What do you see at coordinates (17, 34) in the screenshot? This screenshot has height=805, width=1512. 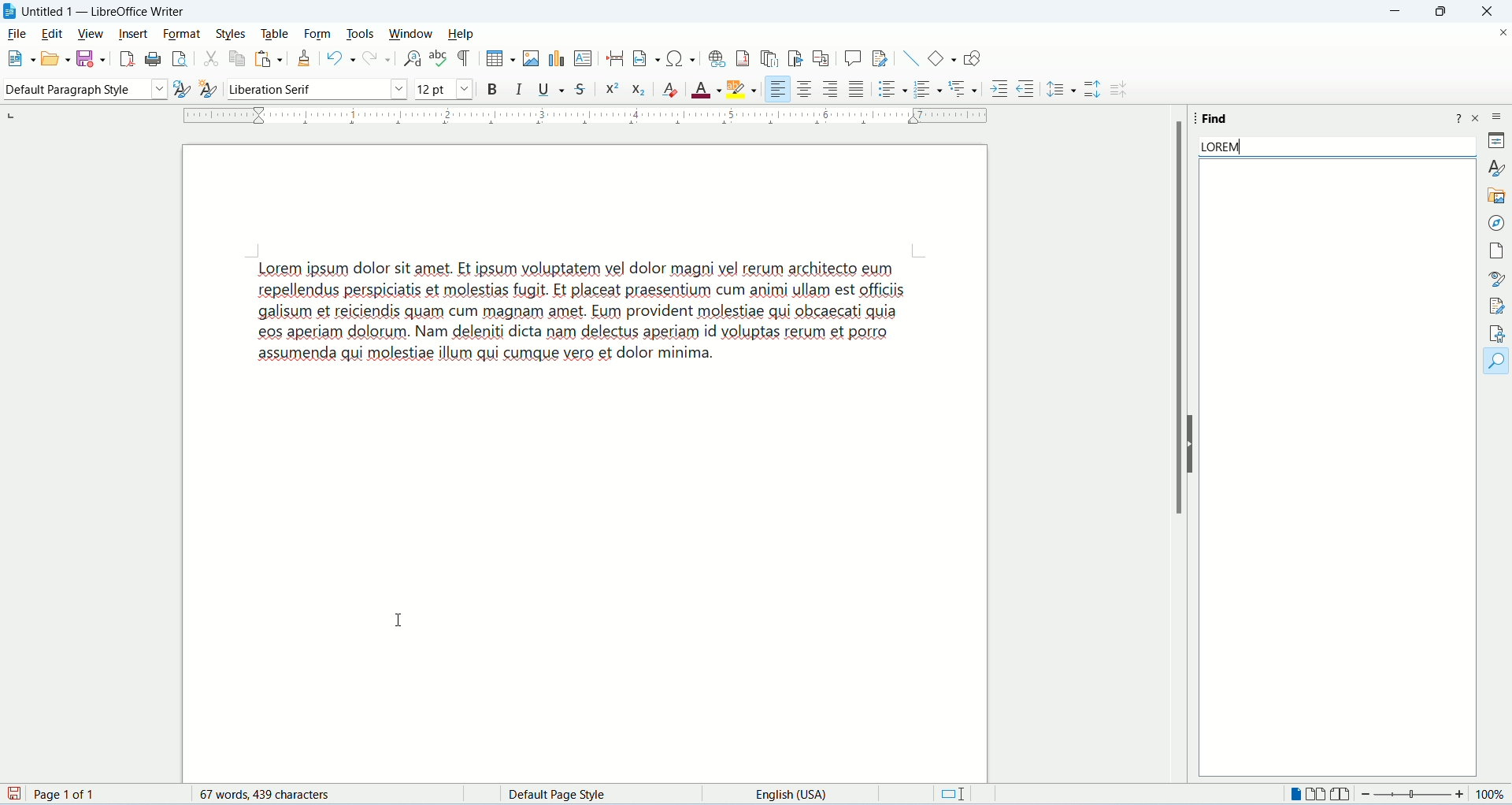 I see `file` at bounding box center [17, 34].